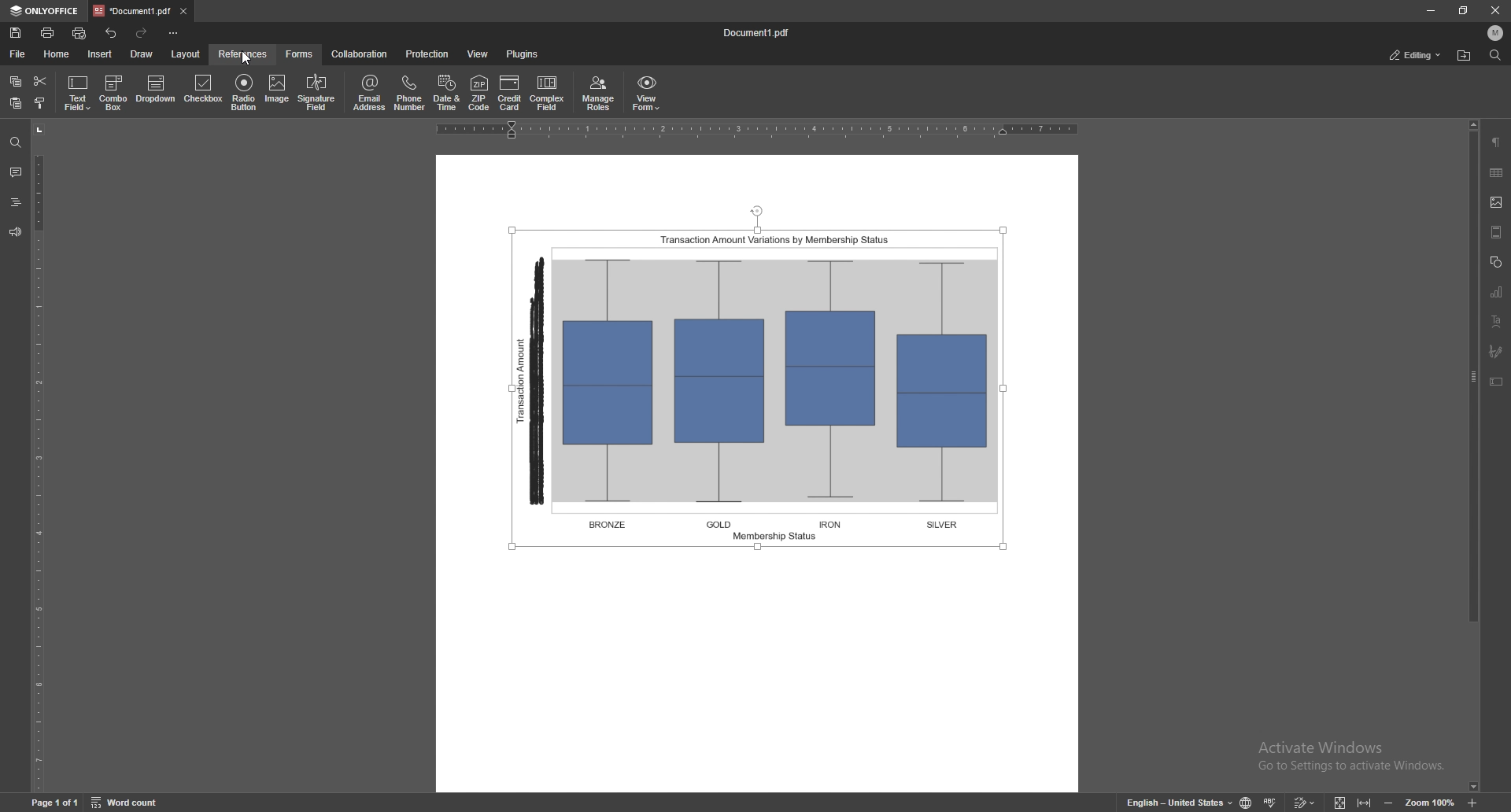  I want to click on file name, so click(756, 33).